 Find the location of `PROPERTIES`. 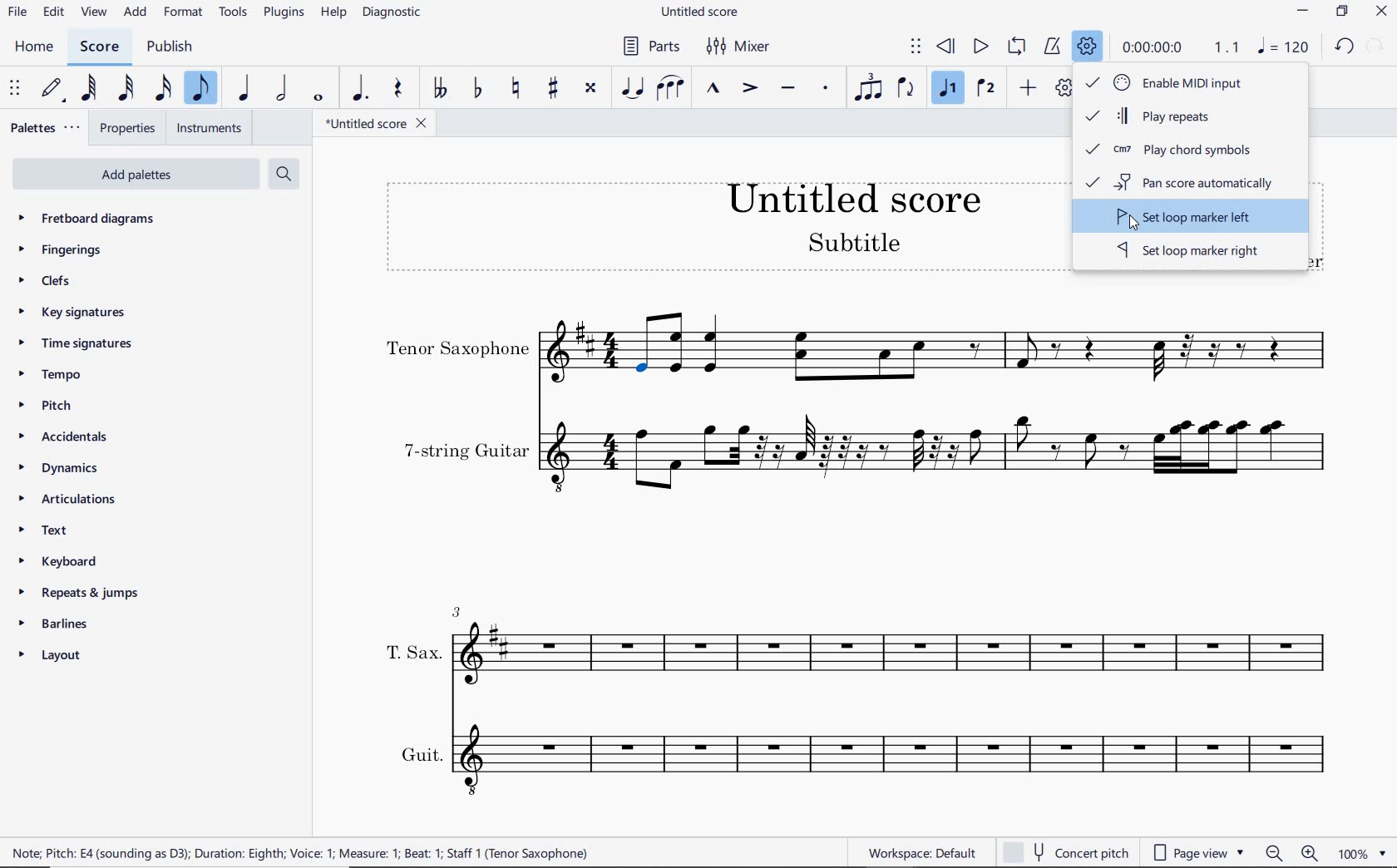

PROPERTIES is located at coordinates (130, 128).